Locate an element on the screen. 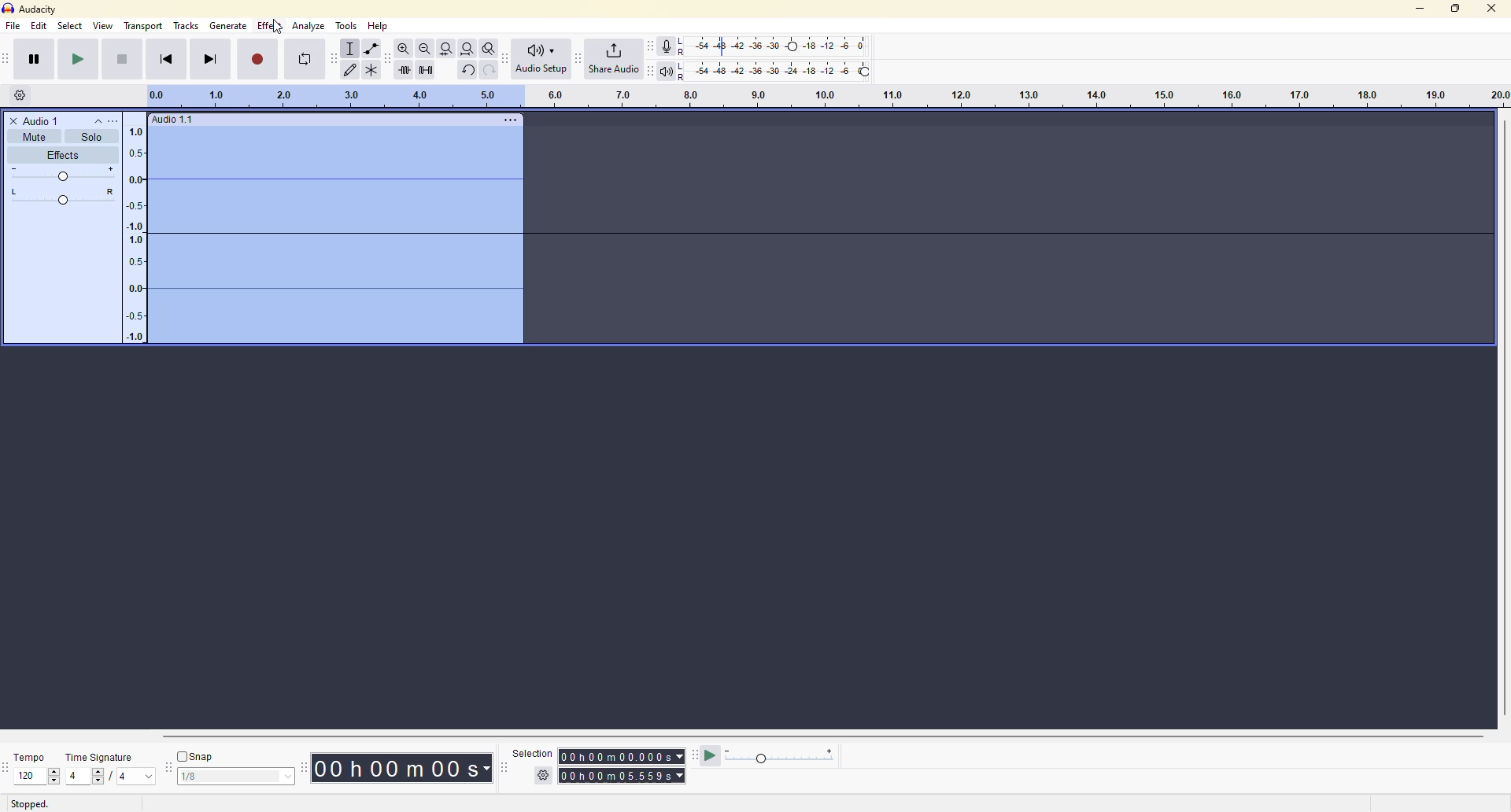 The image size is (1511, 812). play at speed is located at coordinates (711, 755).